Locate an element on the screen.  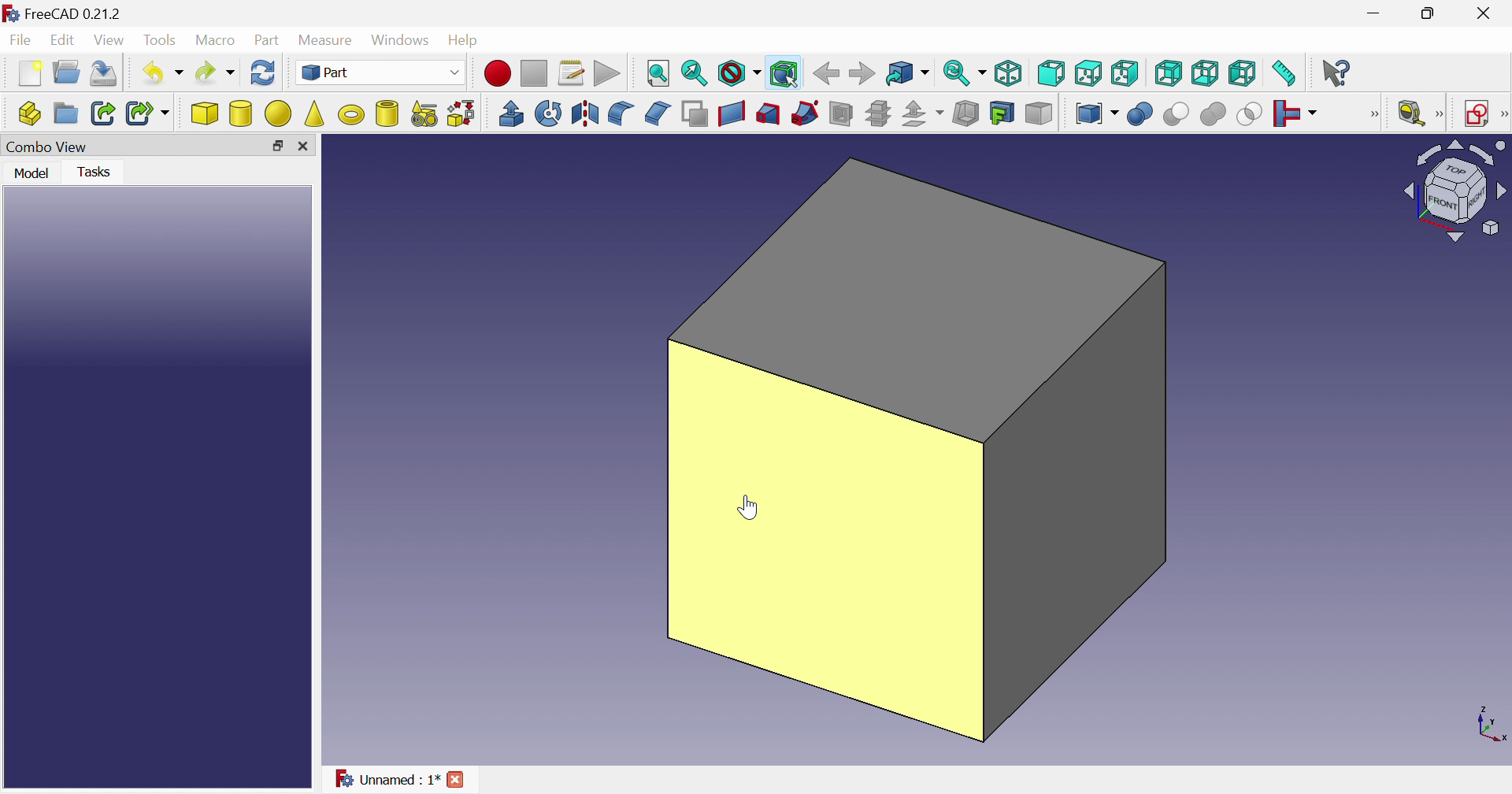
Thickness... is located at coordinates (965, 113).